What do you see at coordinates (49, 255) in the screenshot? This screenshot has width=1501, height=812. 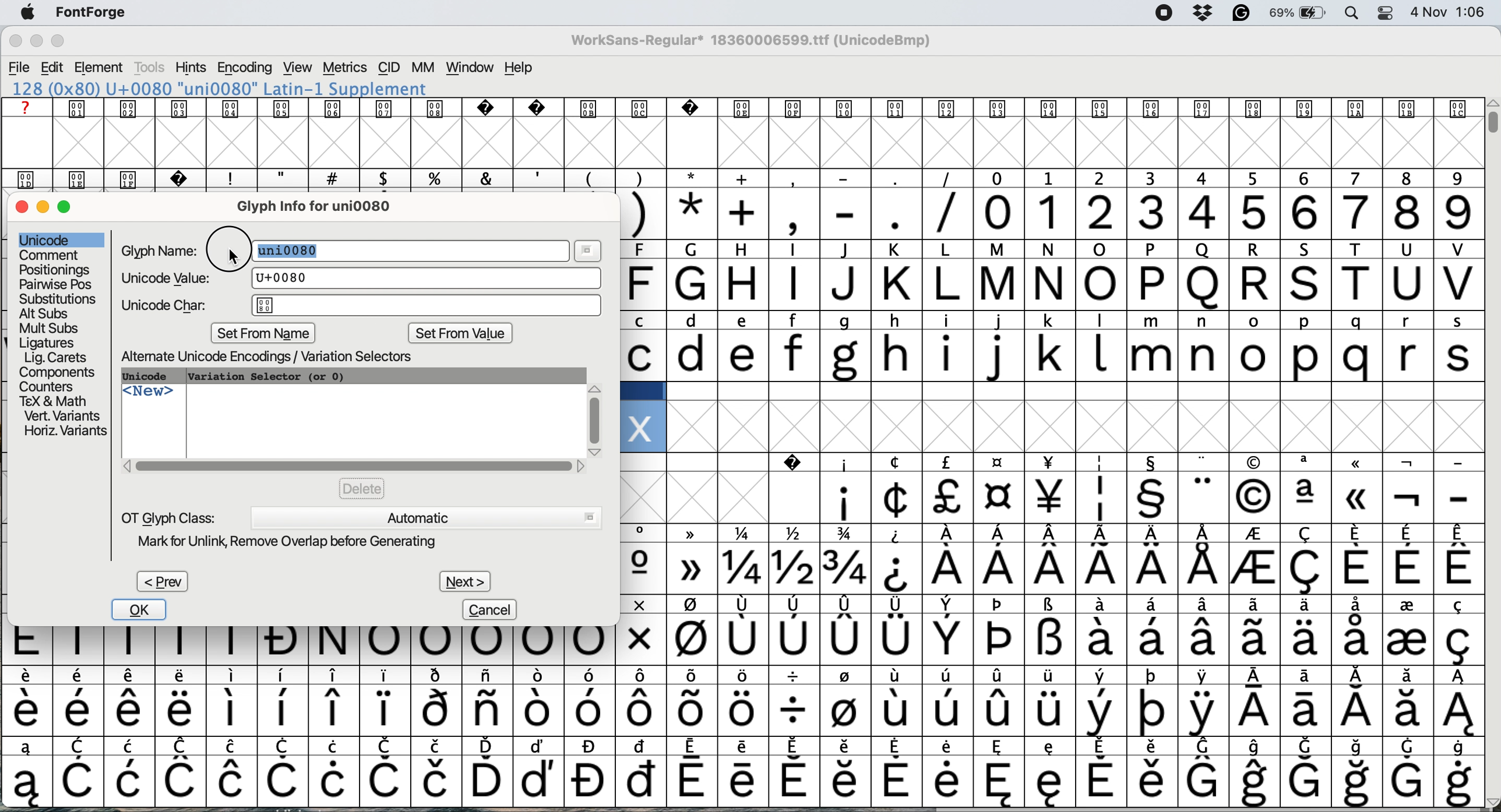 I see `comment` at bounding box center [49, 255].